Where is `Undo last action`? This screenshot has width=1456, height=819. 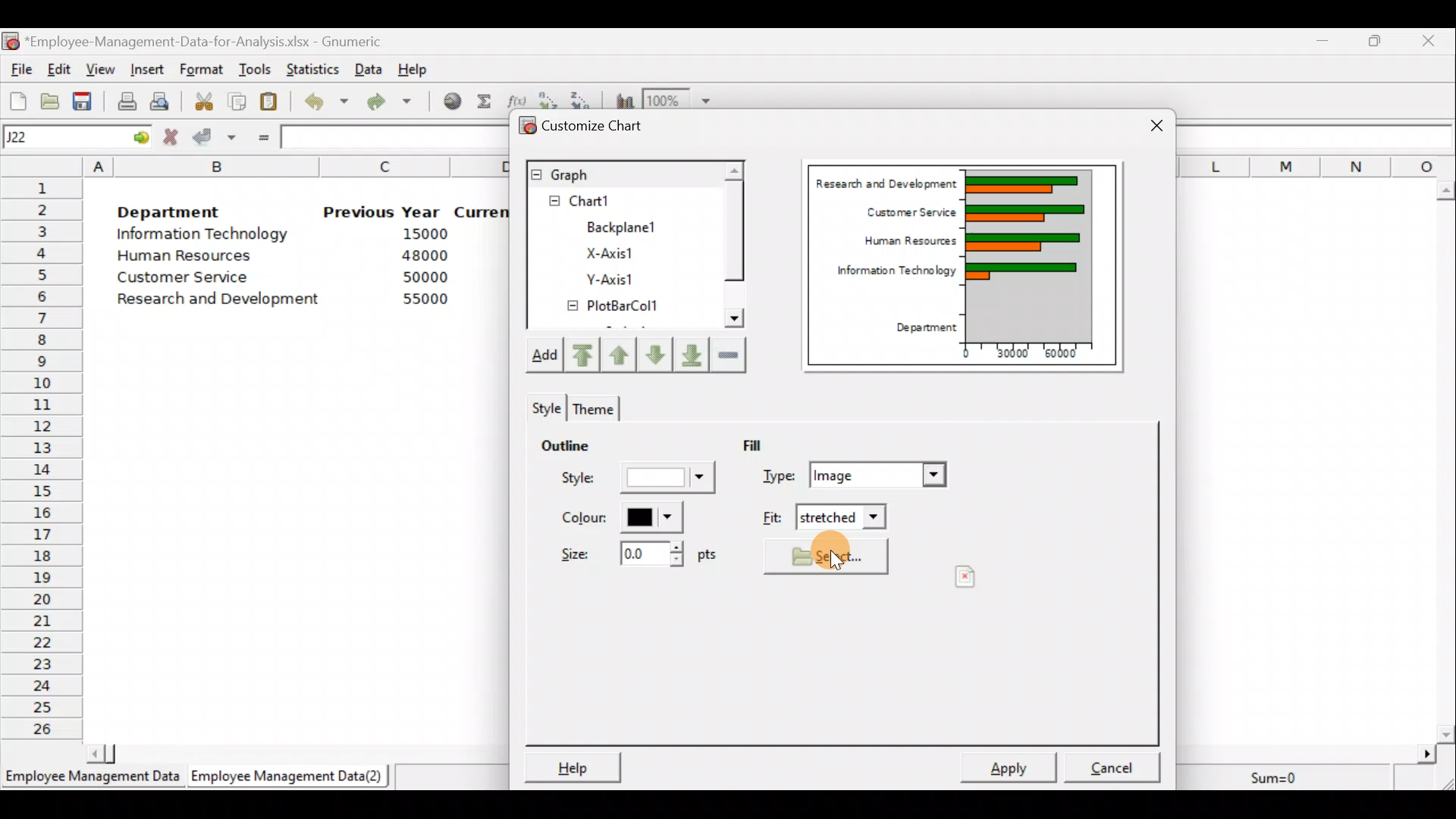
Undo last action is located at coordinates (328, 105).